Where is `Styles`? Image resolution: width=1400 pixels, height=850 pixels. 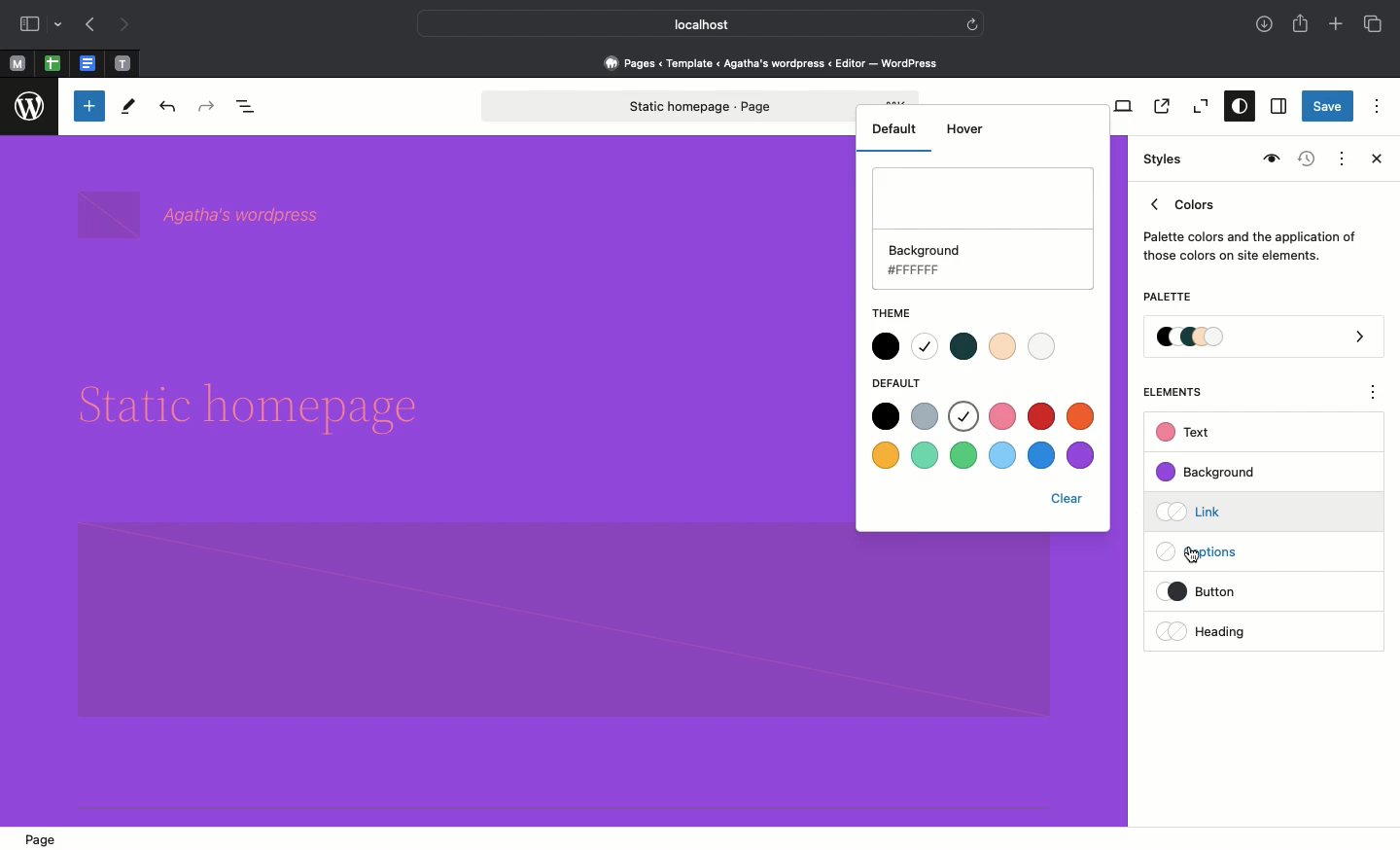
Styles is located at coordinates (1235, 108).